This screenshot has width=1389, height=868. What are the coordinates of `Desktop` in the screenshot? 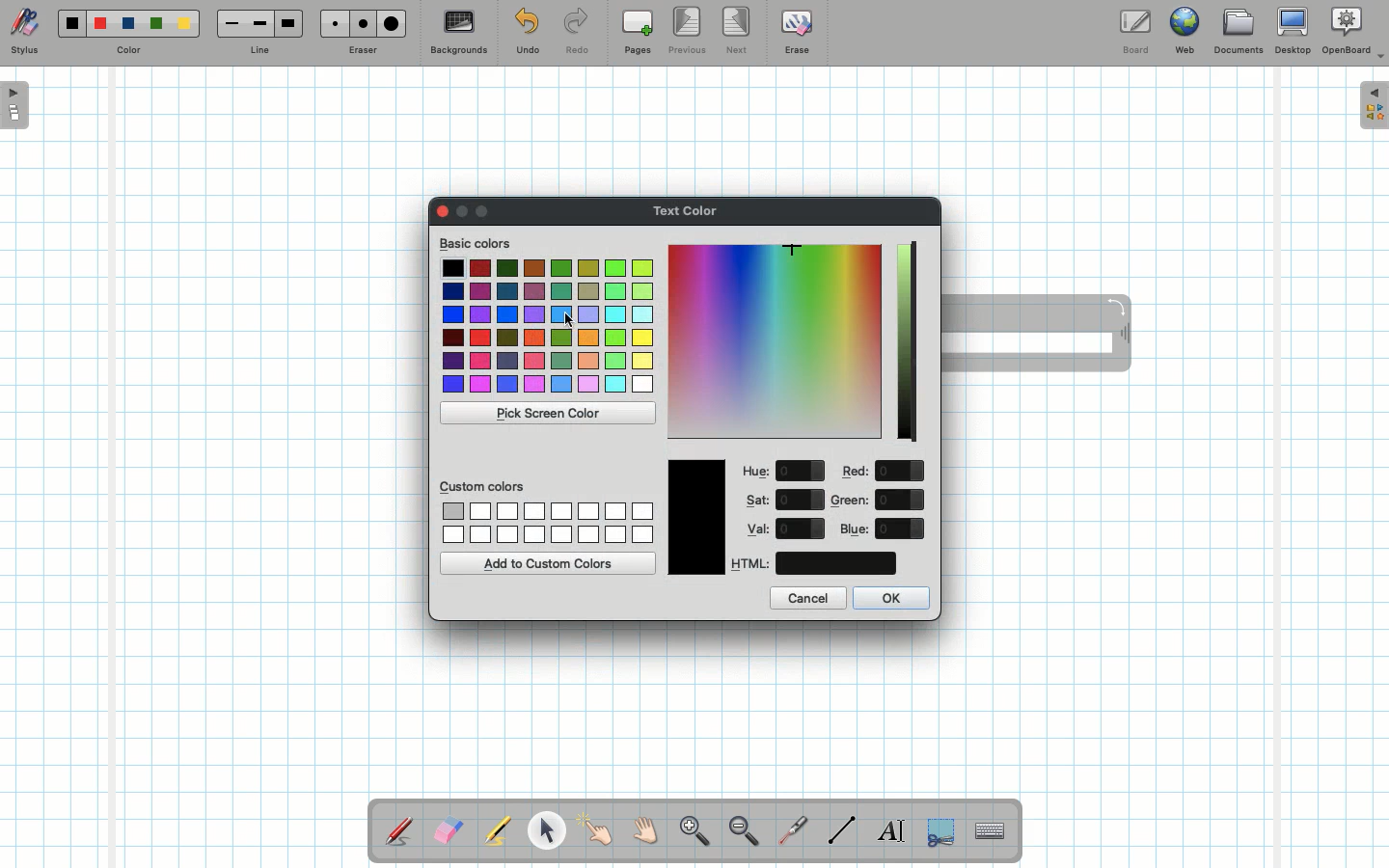 It's located at (1295, 31).